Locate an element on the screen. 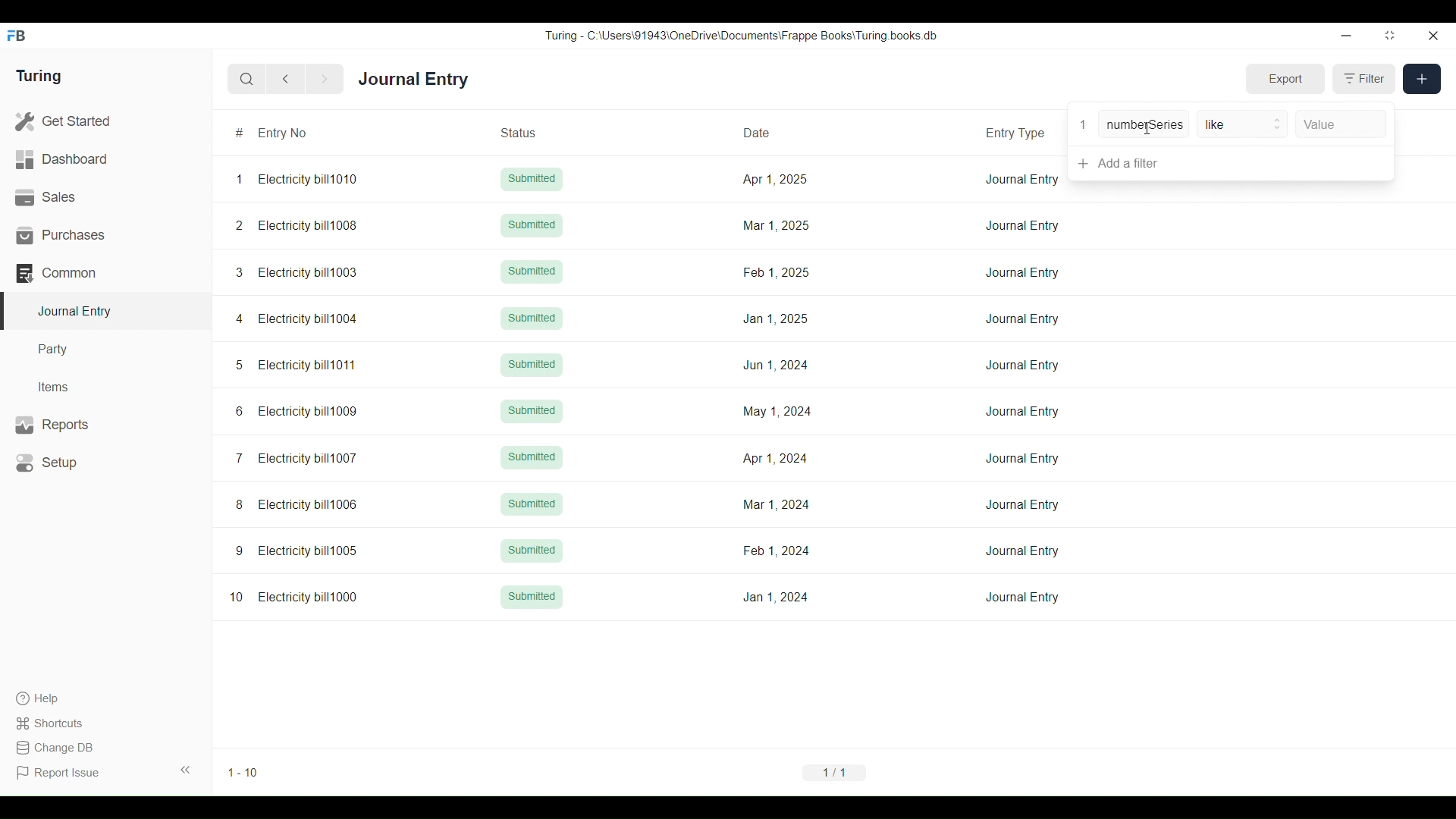 This screenshot has height=819, width=1456. Jun 1, 2024 is located at coordinates (776, 365).